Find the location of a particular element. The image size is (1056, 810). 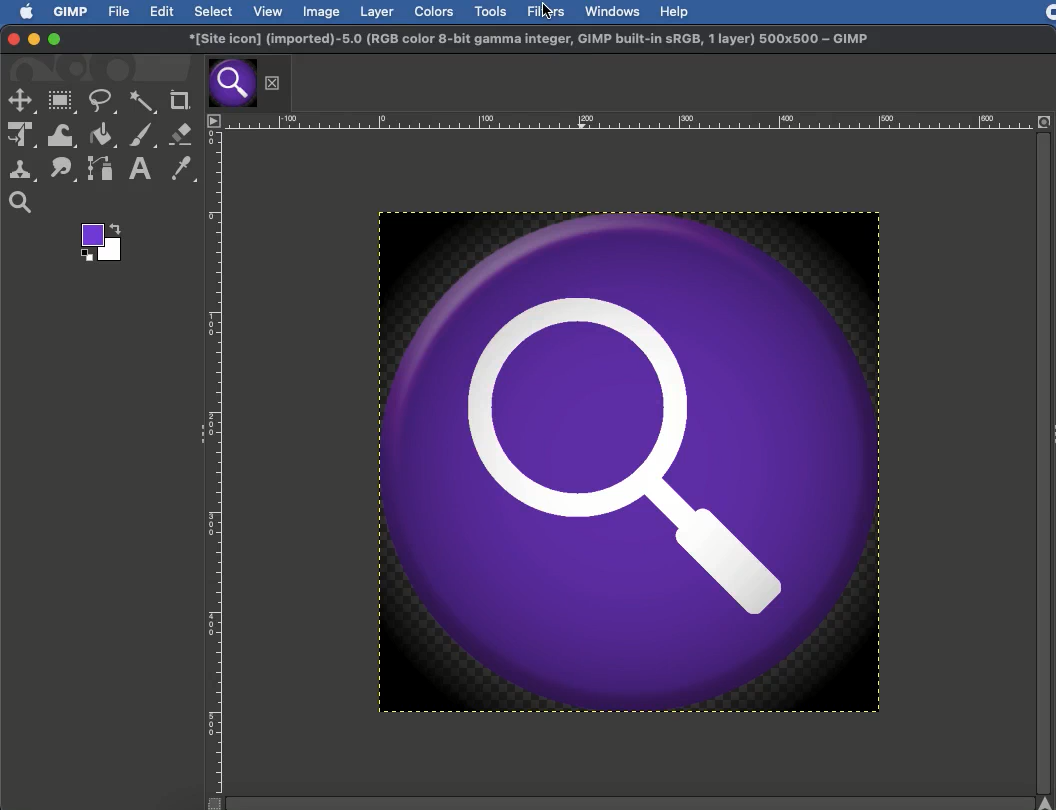

Warp transformation is located at coordinates (62, 136).